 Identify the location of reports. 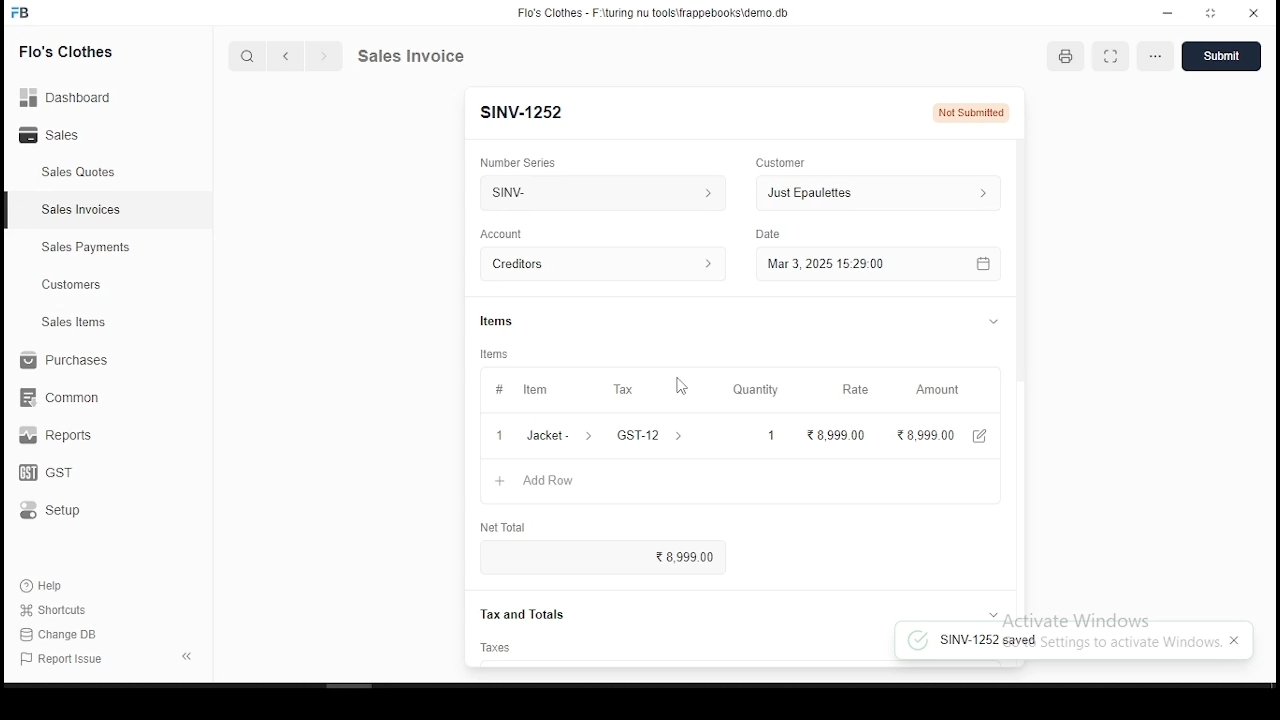
(58, 437).